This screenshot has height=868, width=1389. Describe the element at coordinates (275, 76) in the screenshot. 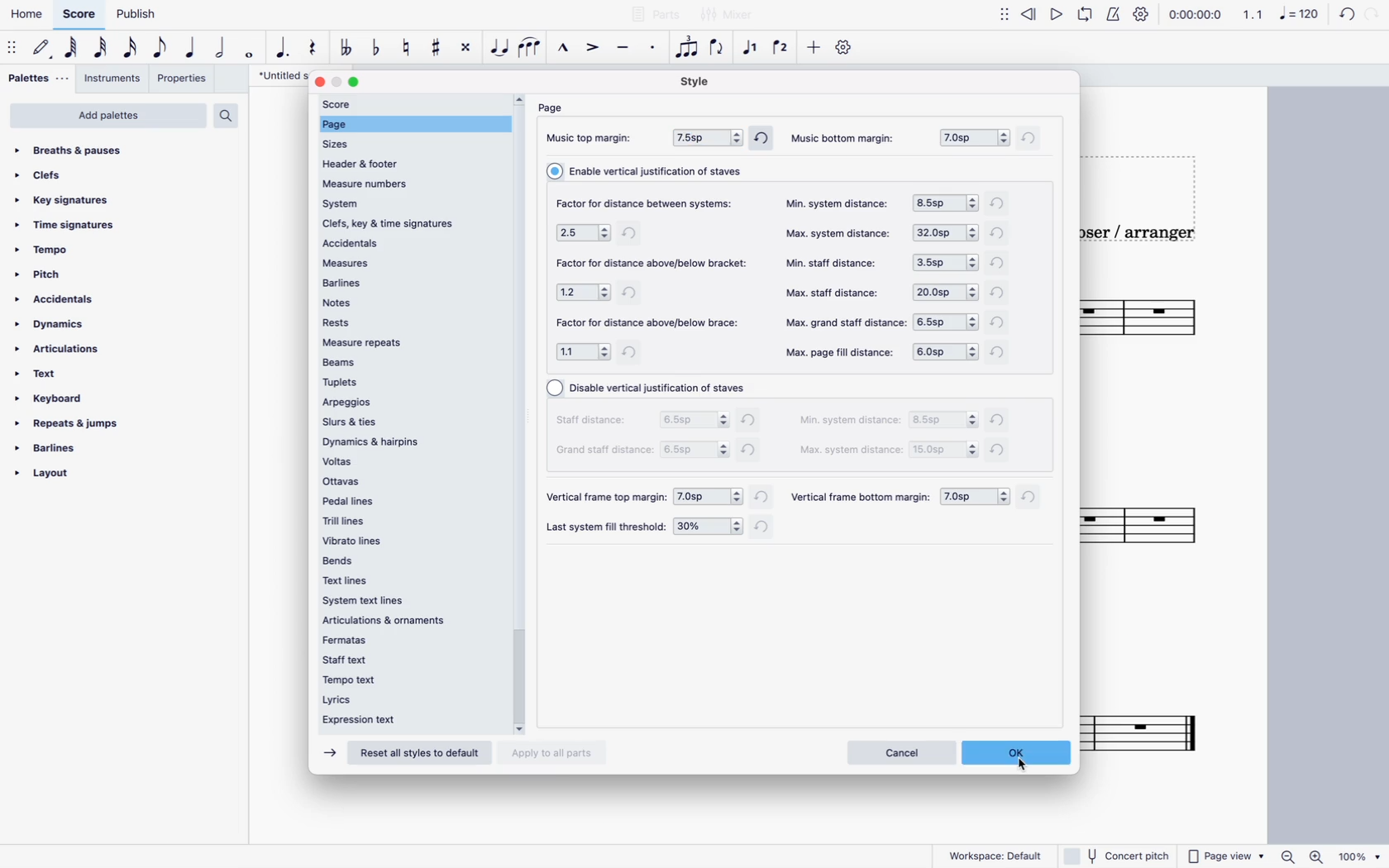

I see `score title` at that location.